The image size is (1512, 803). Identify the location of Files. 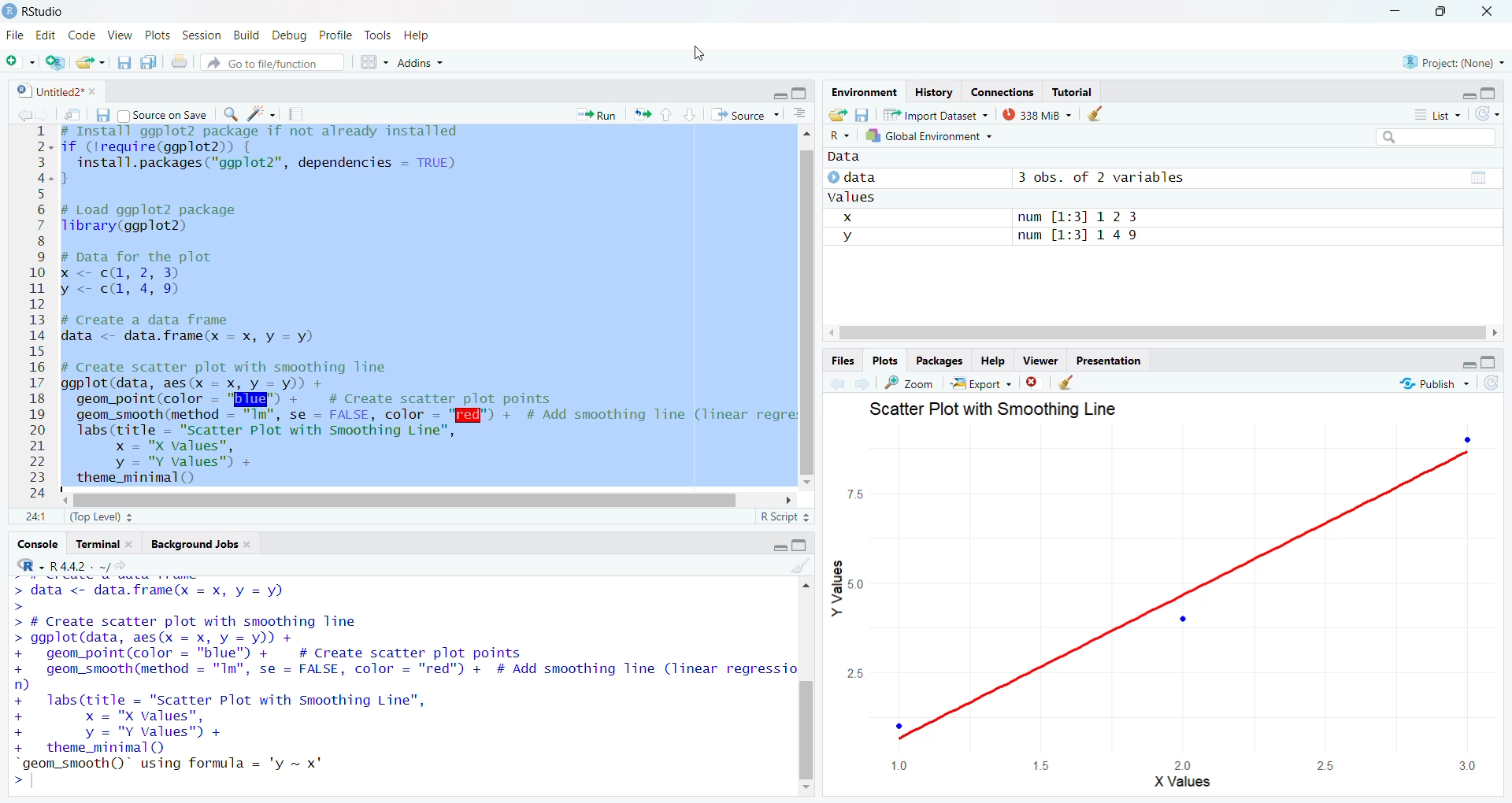
(840, 361).